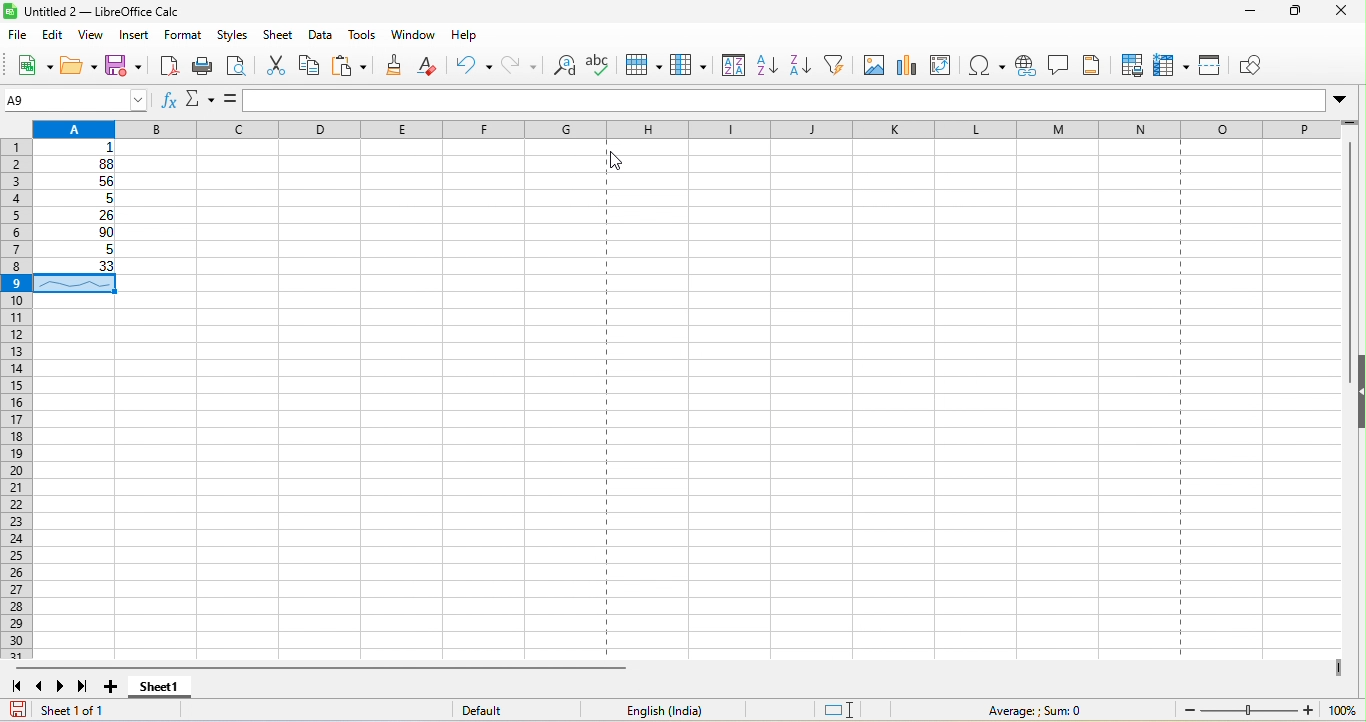 This screenshot has width=1366, height=722. Describe the element at coordinates (610, 158) in the screenshot. I see `cursor` at that location.